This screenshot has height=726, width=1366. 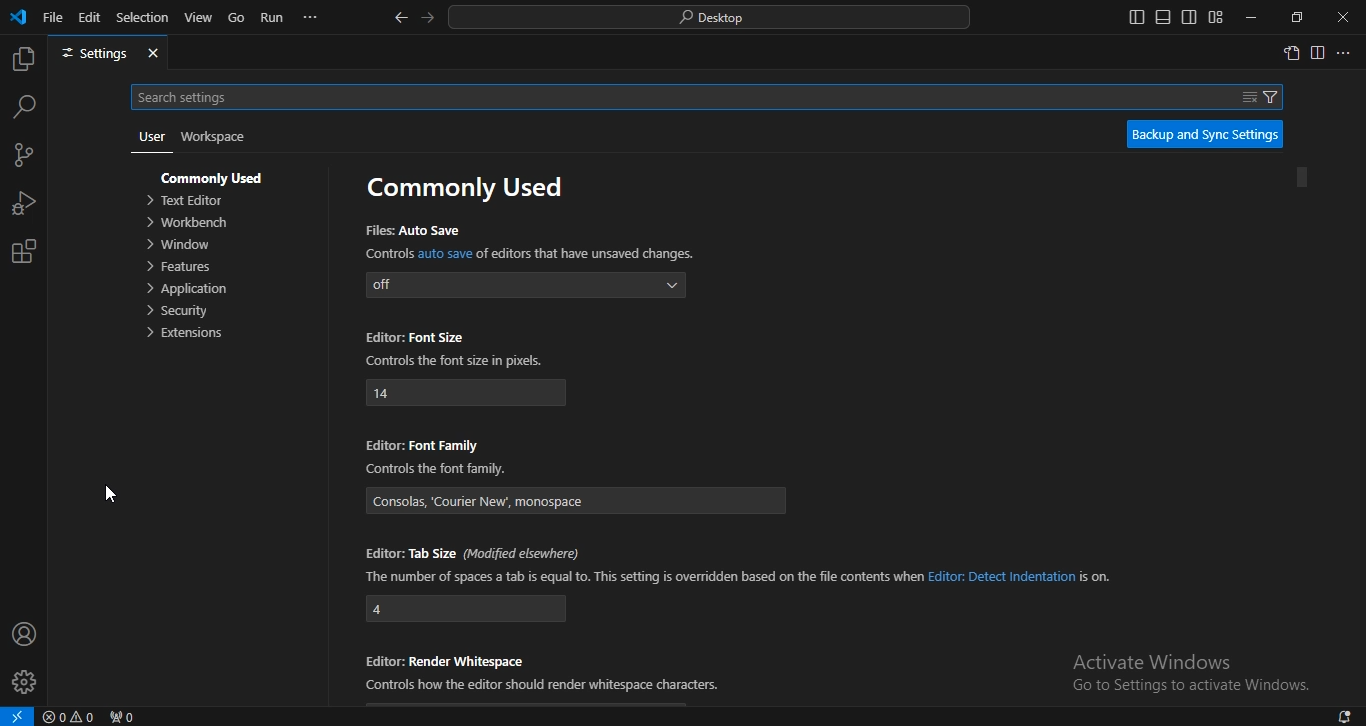 I want to click on Search settings, so click(x=724, y=96).